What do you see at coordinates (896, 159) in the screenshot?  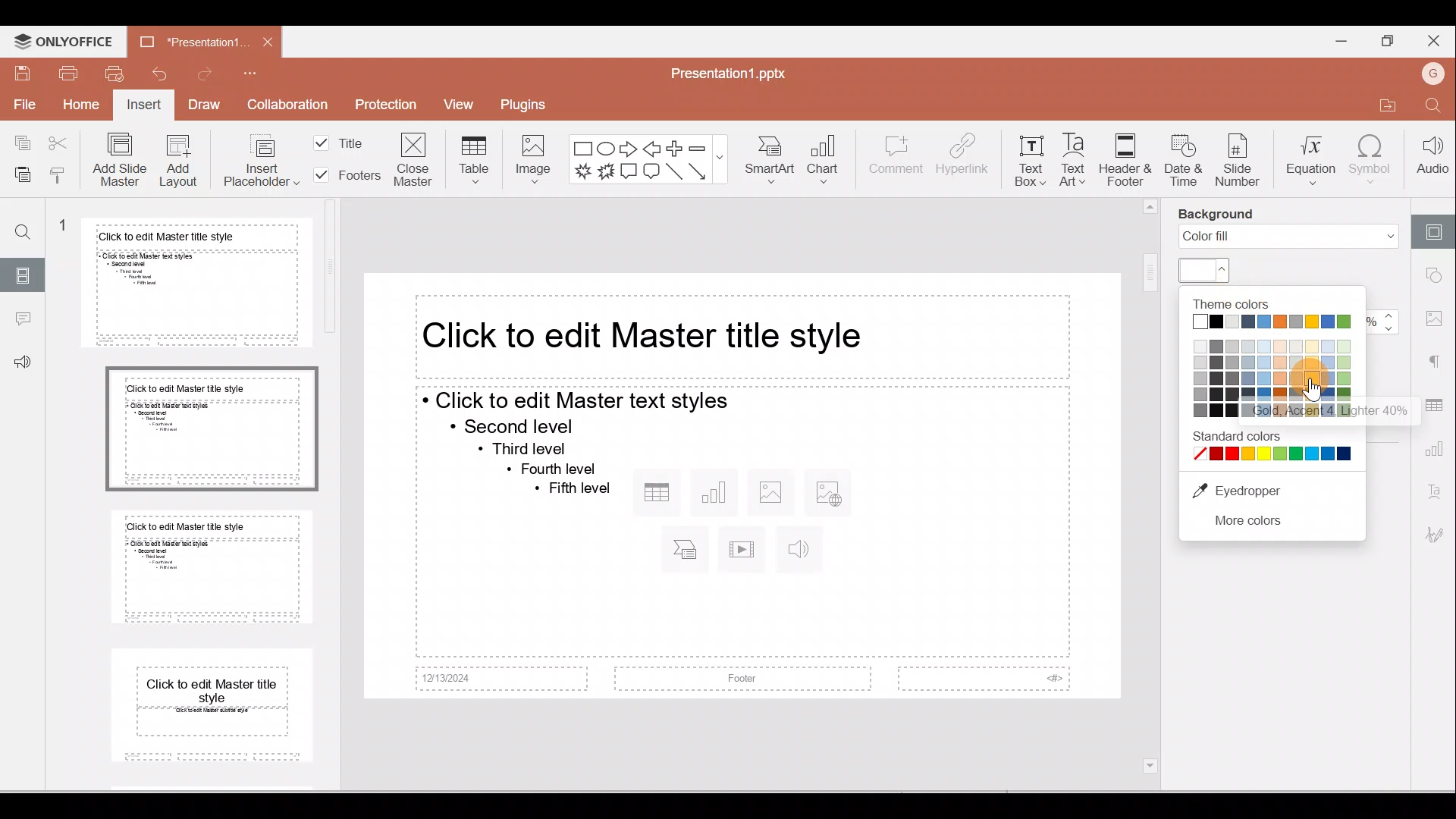 I see `Comment` at bounding box center [896, 159].